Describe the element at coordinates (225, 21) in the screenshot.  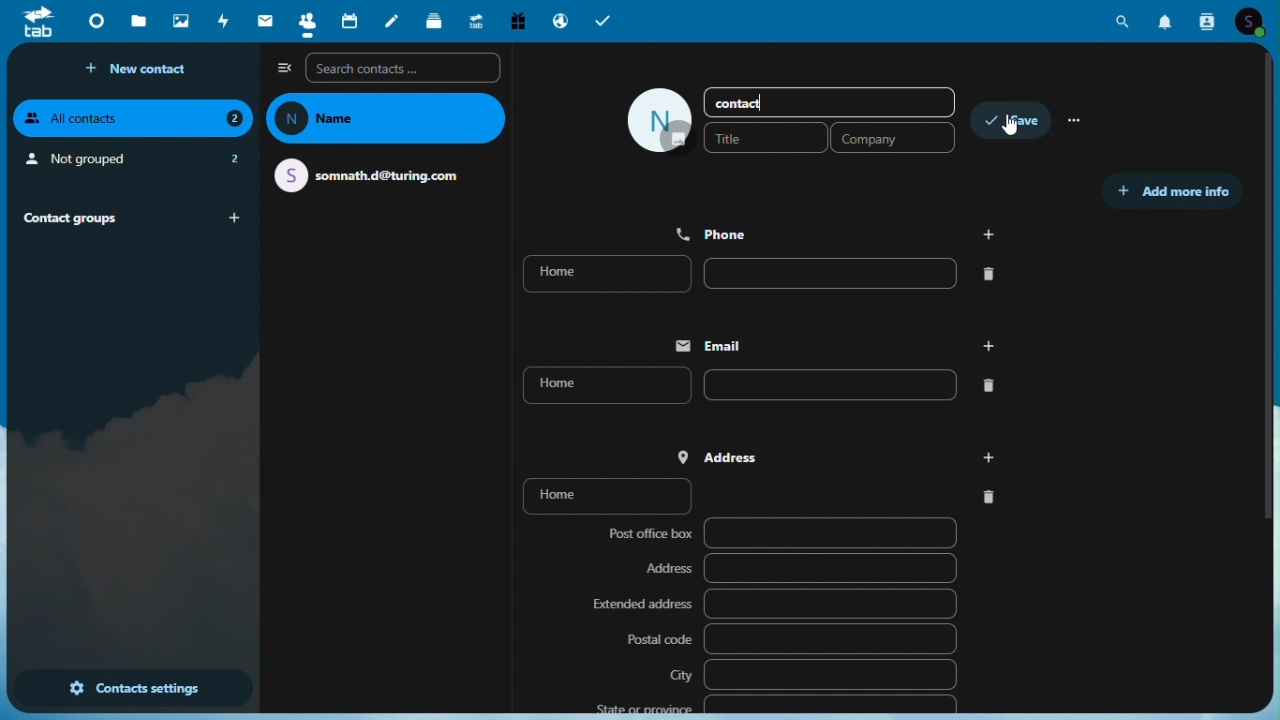
I see `Activity` at that location.